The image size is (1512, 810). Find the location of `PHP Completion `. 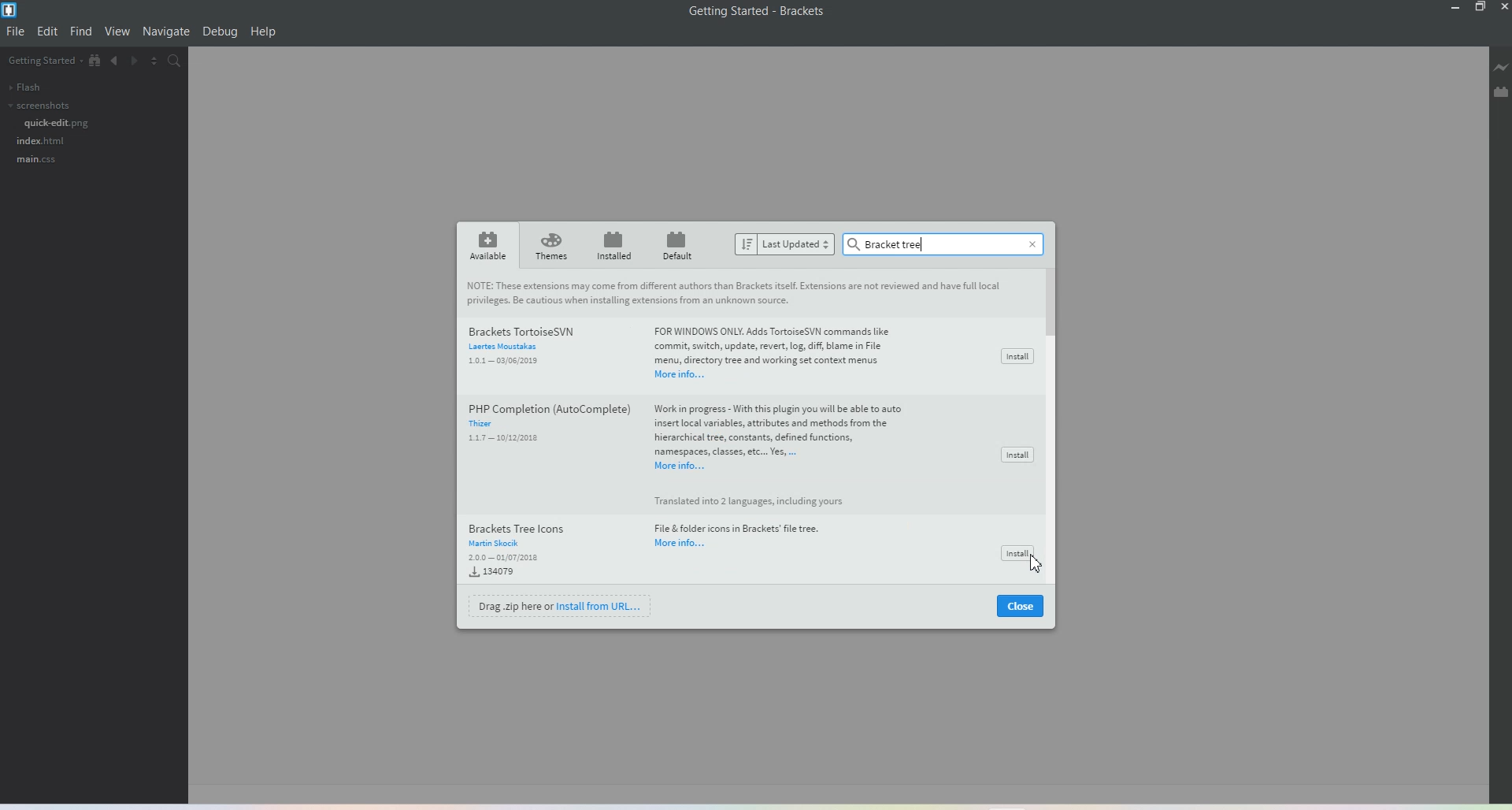

PHP Completion  is located at coordinates (687, 449).